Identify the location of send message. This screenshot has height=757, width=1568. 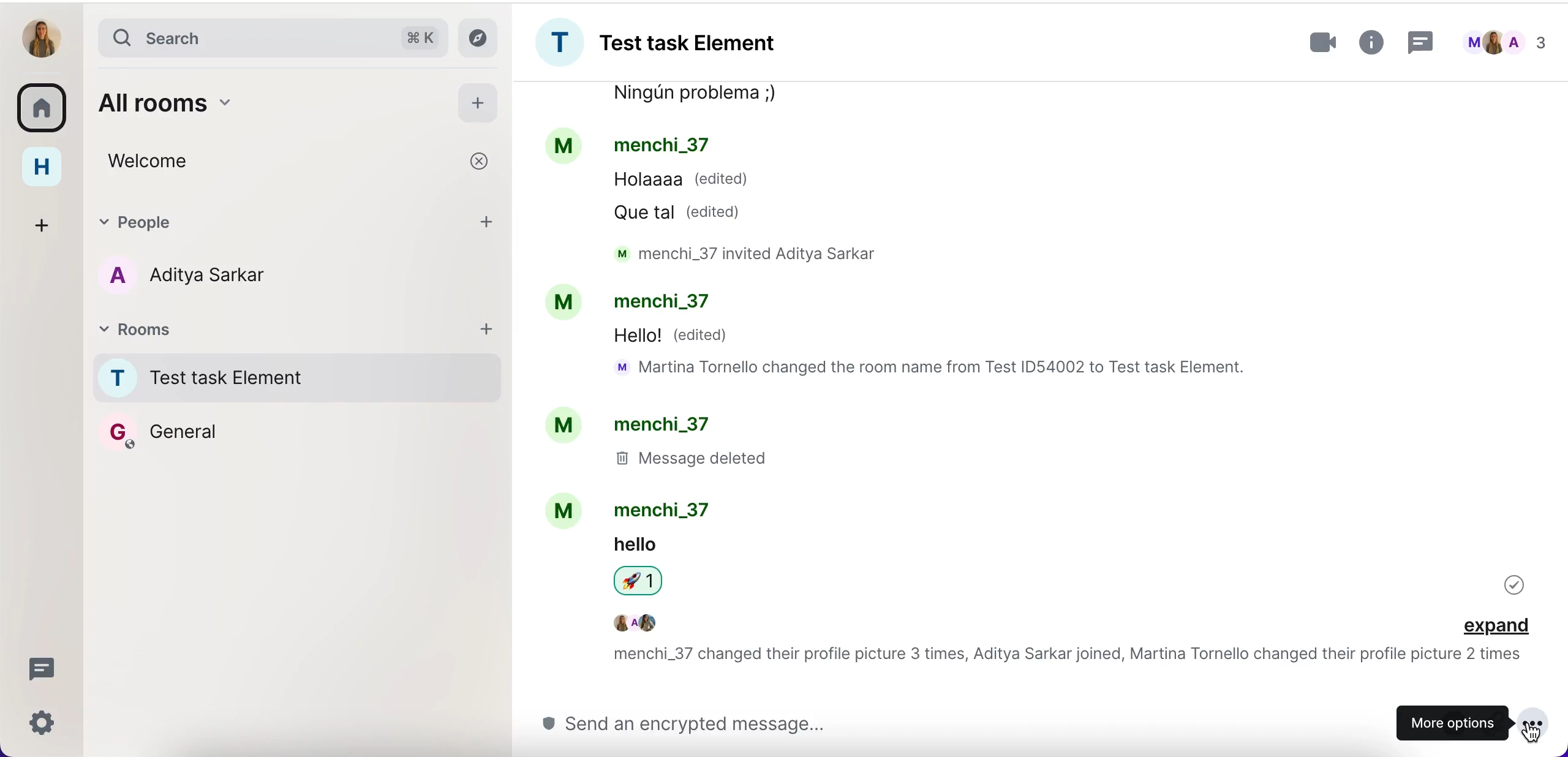
(941, 724).